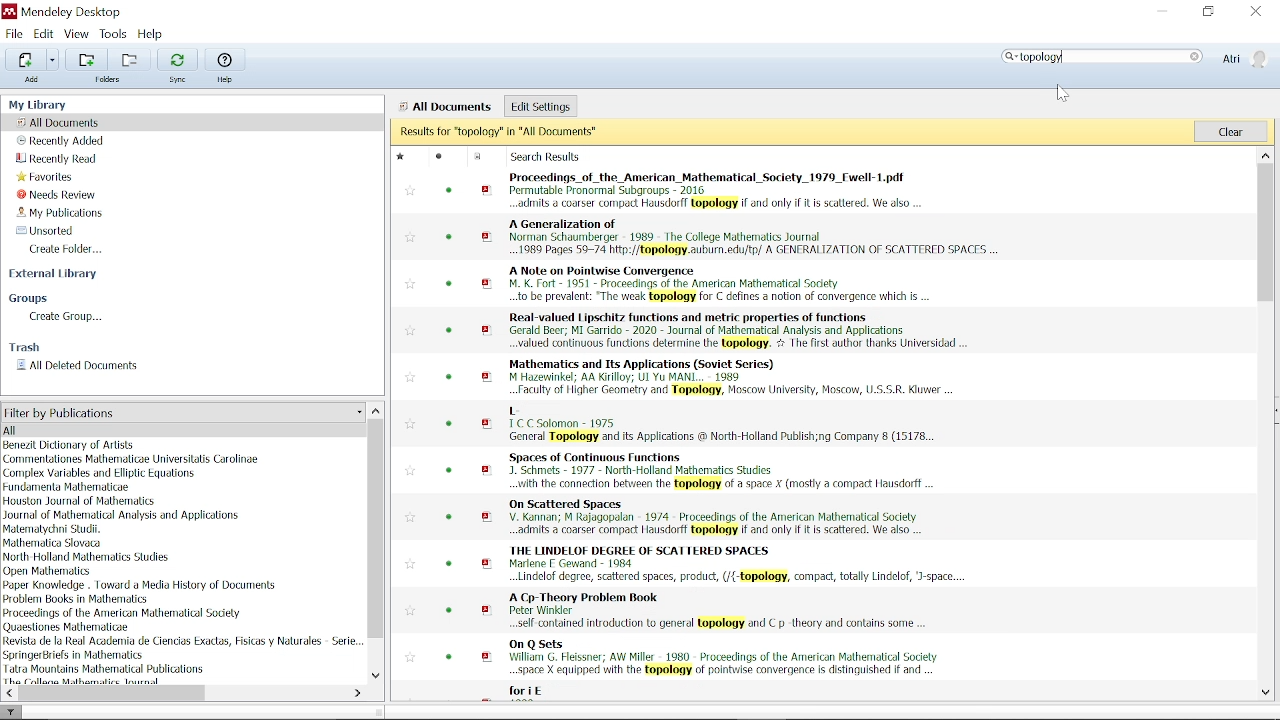 Image resolution: width=1280 pixels, height=720 pixels. I want to click on read, so click(449, 656).